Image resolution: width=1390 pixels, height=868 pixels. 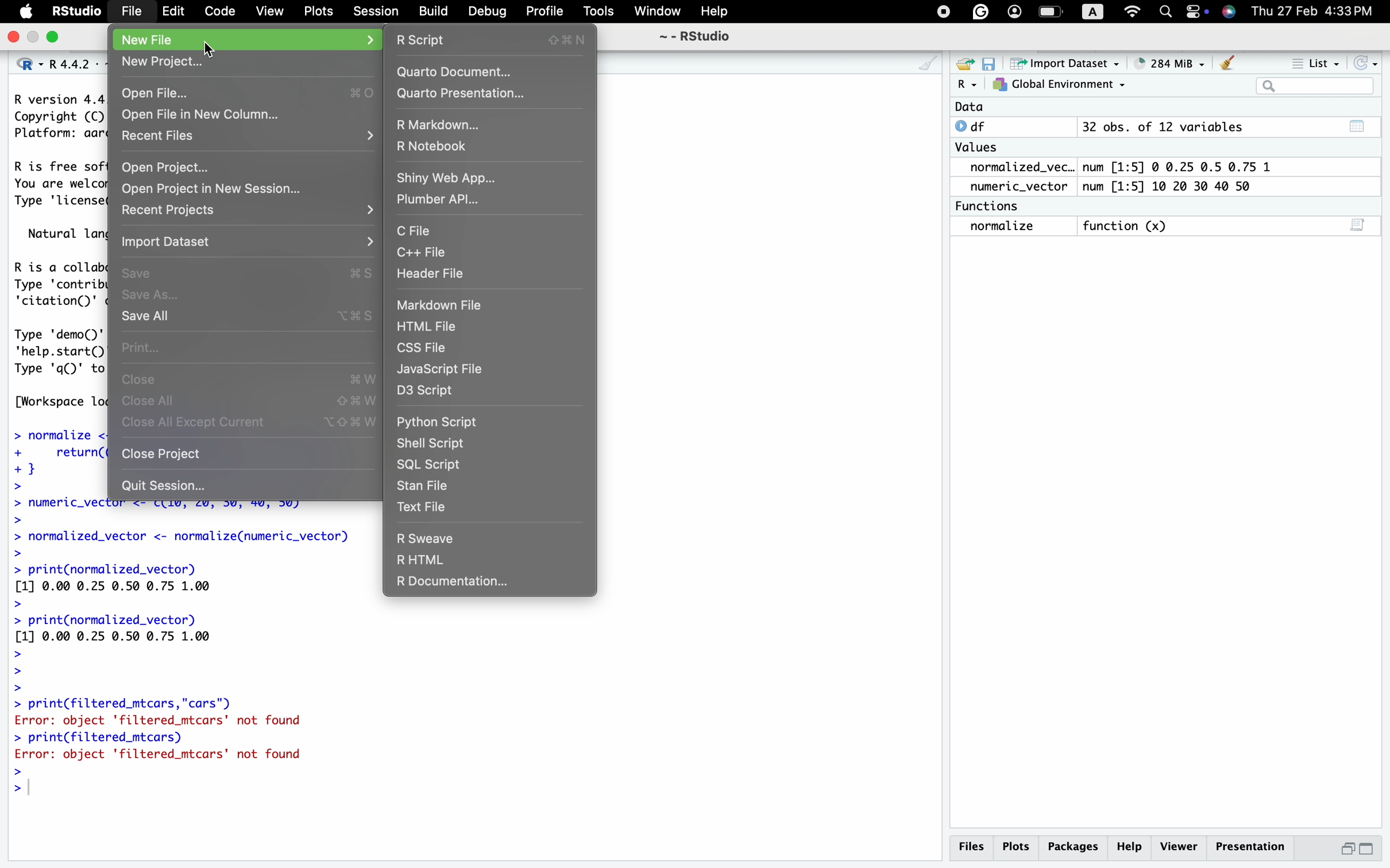 I want to click on 32 obs. of 12 variables, so click(x=1227, y=130).